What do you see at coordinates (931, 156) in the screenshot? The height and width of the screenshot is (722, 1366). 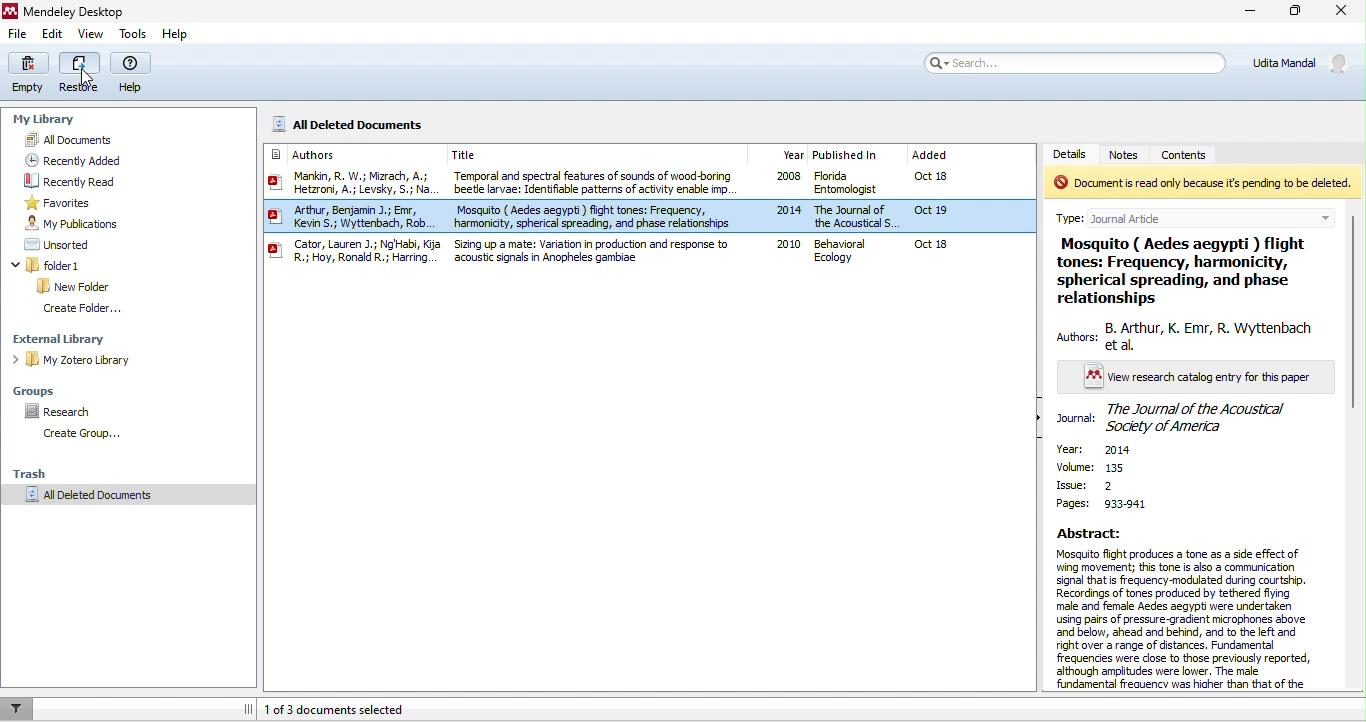 I see `added` at bounding box center [931, 156].